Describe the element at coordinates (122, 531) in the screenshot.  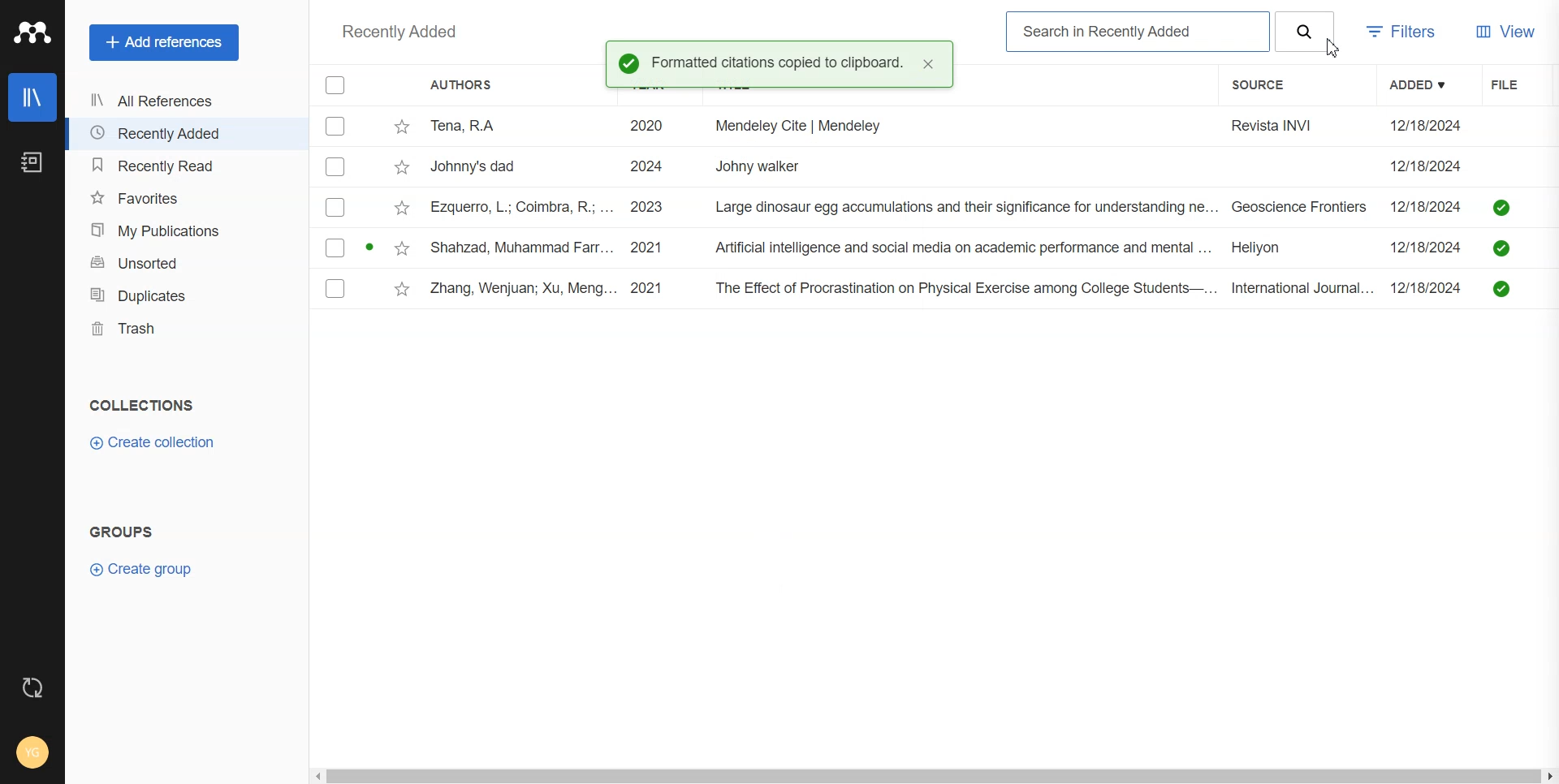
I see `GROUPS` at that location.